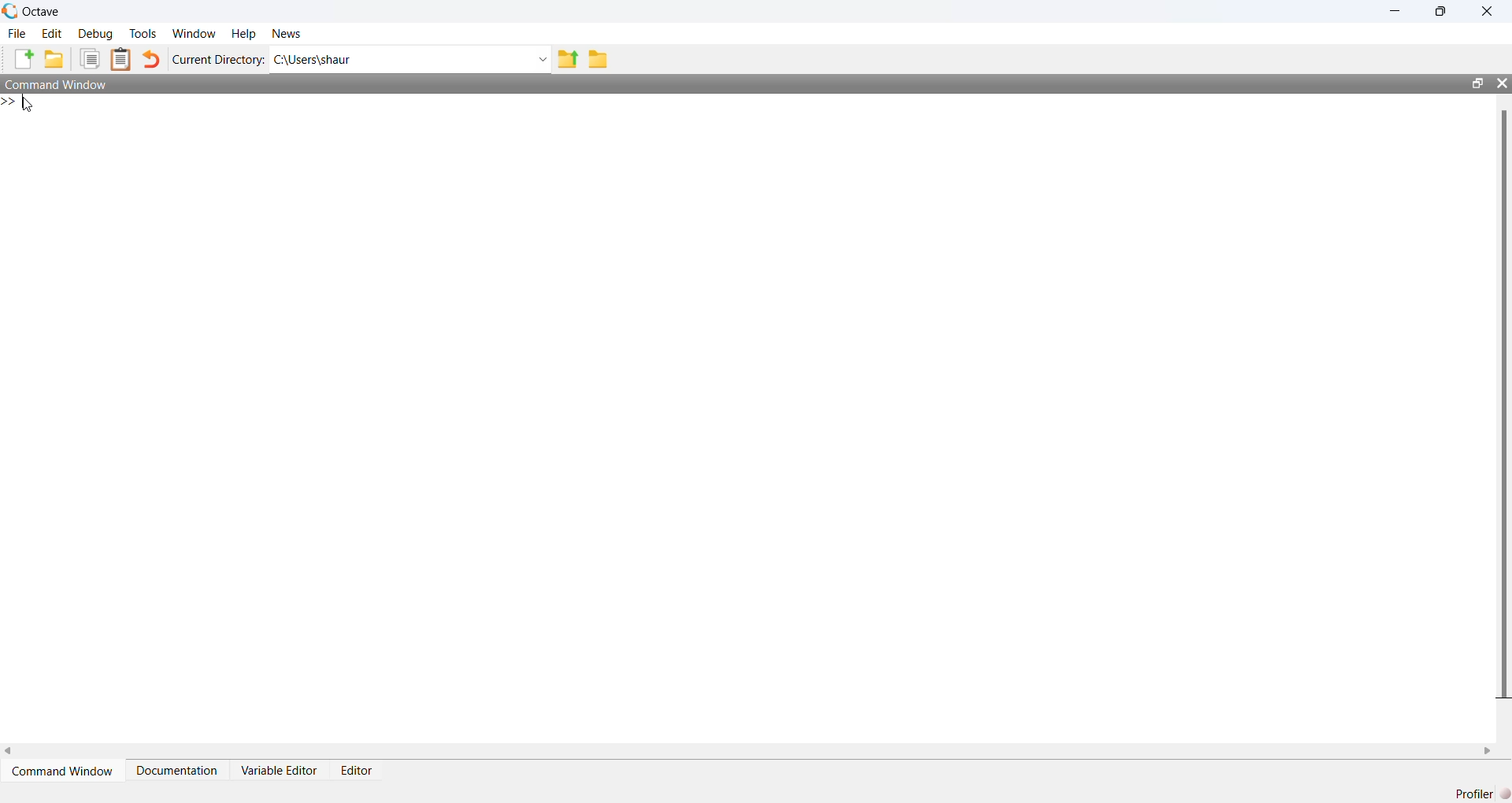 Image resolution: width=1512 pixels, height=803 pixels. I want to click on scroll bar, so click(1504, 402).